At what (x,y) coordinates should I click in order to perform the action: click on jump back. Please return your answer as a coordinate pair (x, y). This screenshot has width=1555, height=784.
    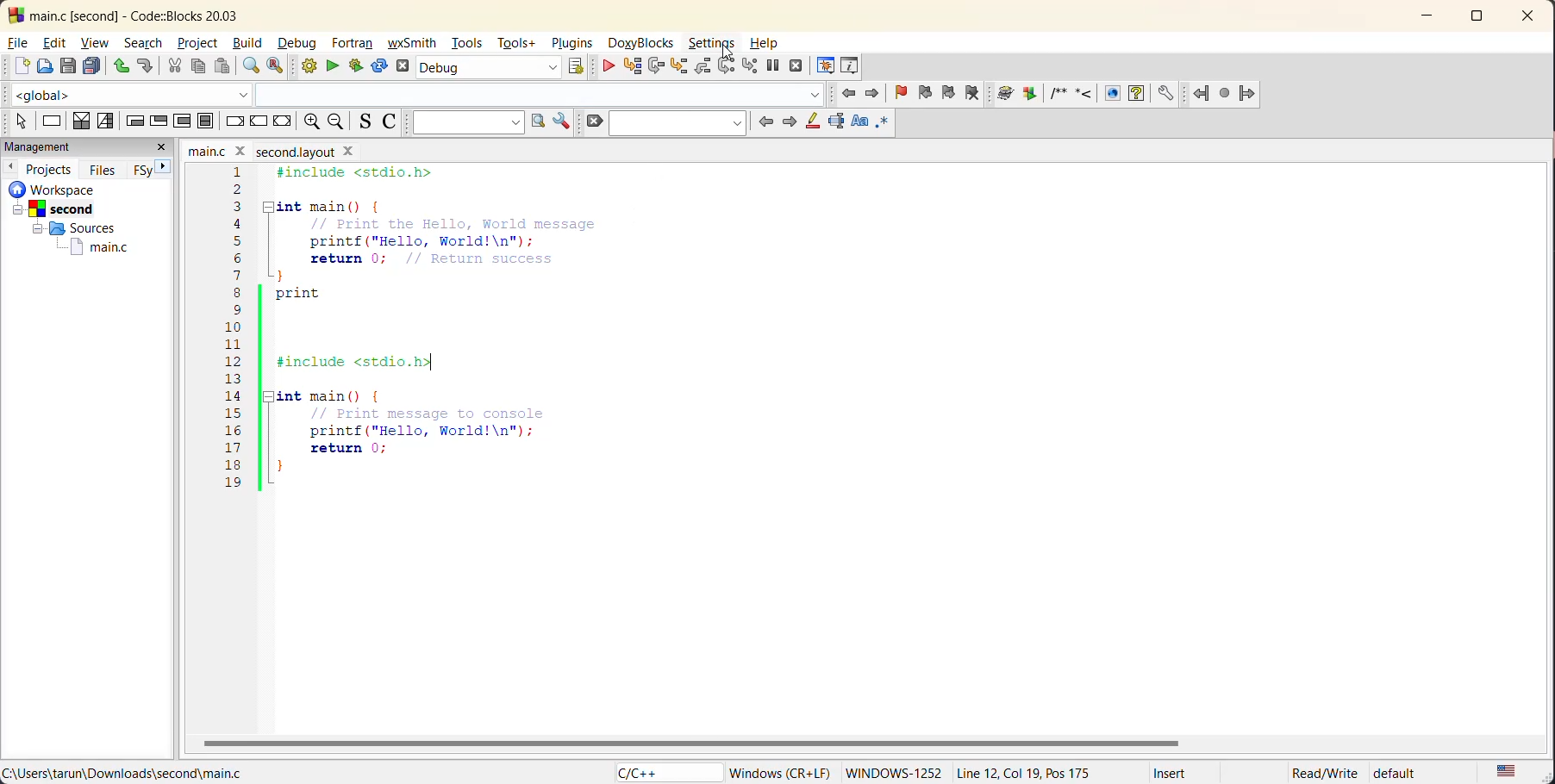
    Looking at the image, I should click on (848, 95).